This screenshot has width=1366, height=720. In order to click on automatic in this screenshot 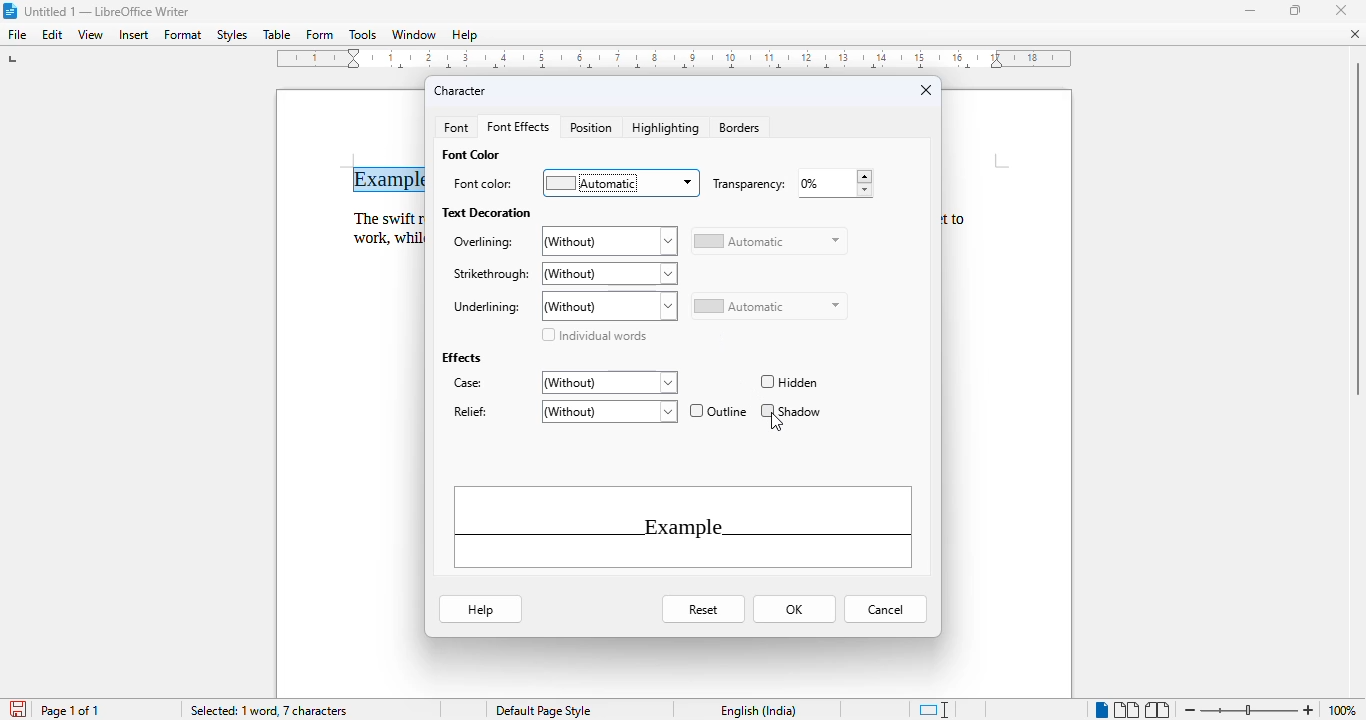, I will do `click(768, 307)`.